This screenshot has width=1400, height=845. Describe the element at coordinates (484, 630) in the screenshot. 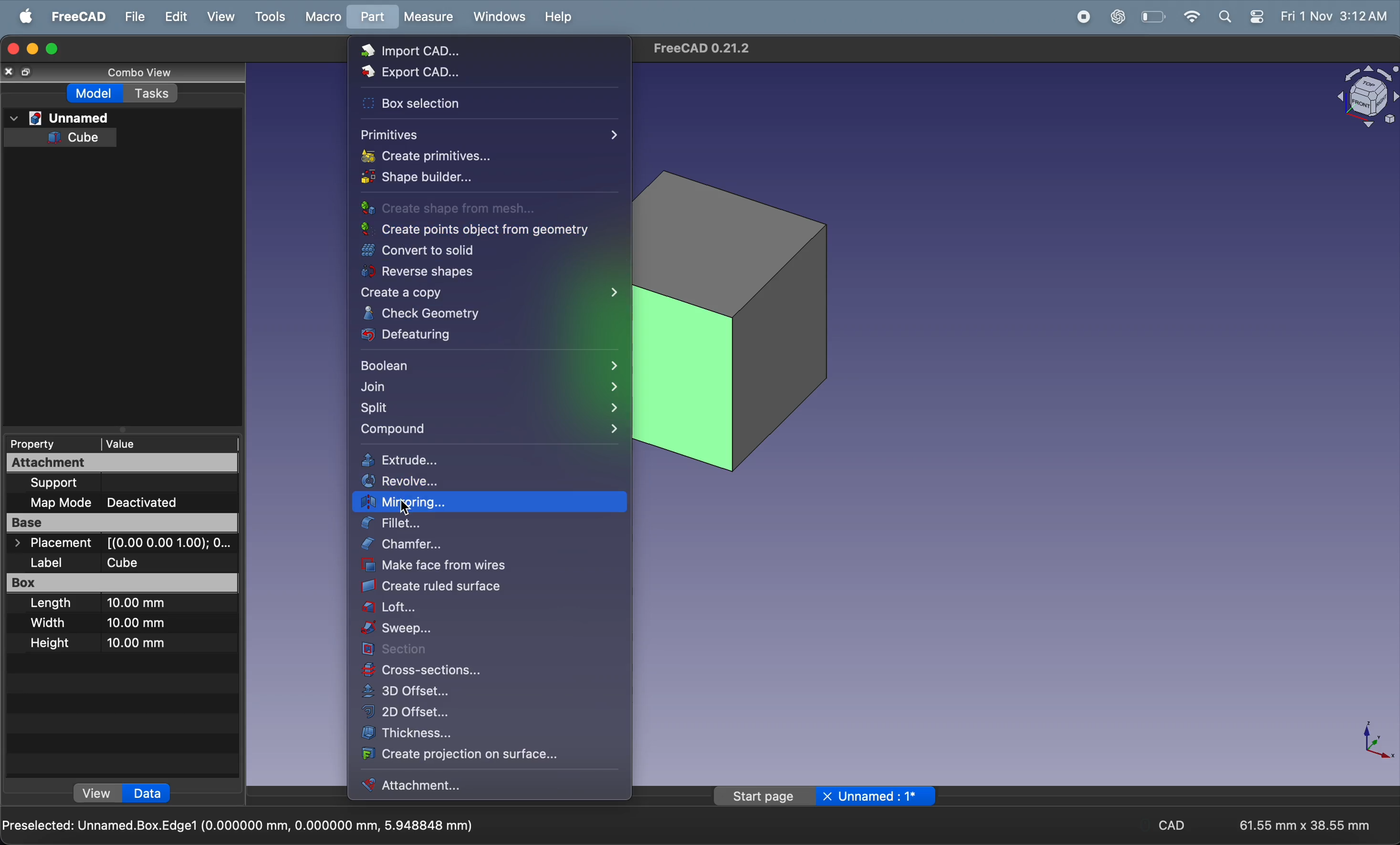

I see `sweep` at that location.